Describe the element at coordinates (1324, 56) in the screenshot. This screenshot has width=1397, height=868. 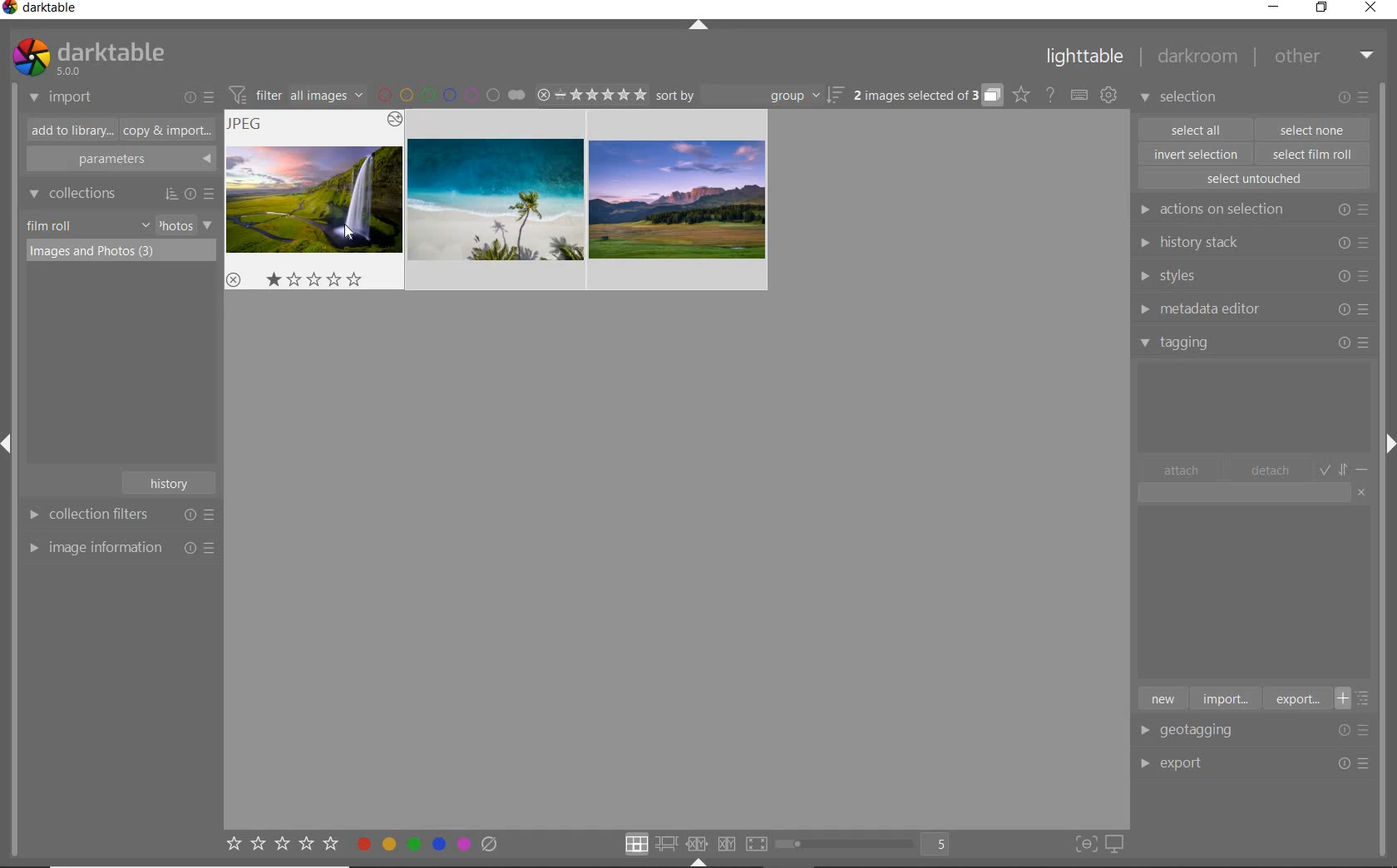
I see `other` at that location.